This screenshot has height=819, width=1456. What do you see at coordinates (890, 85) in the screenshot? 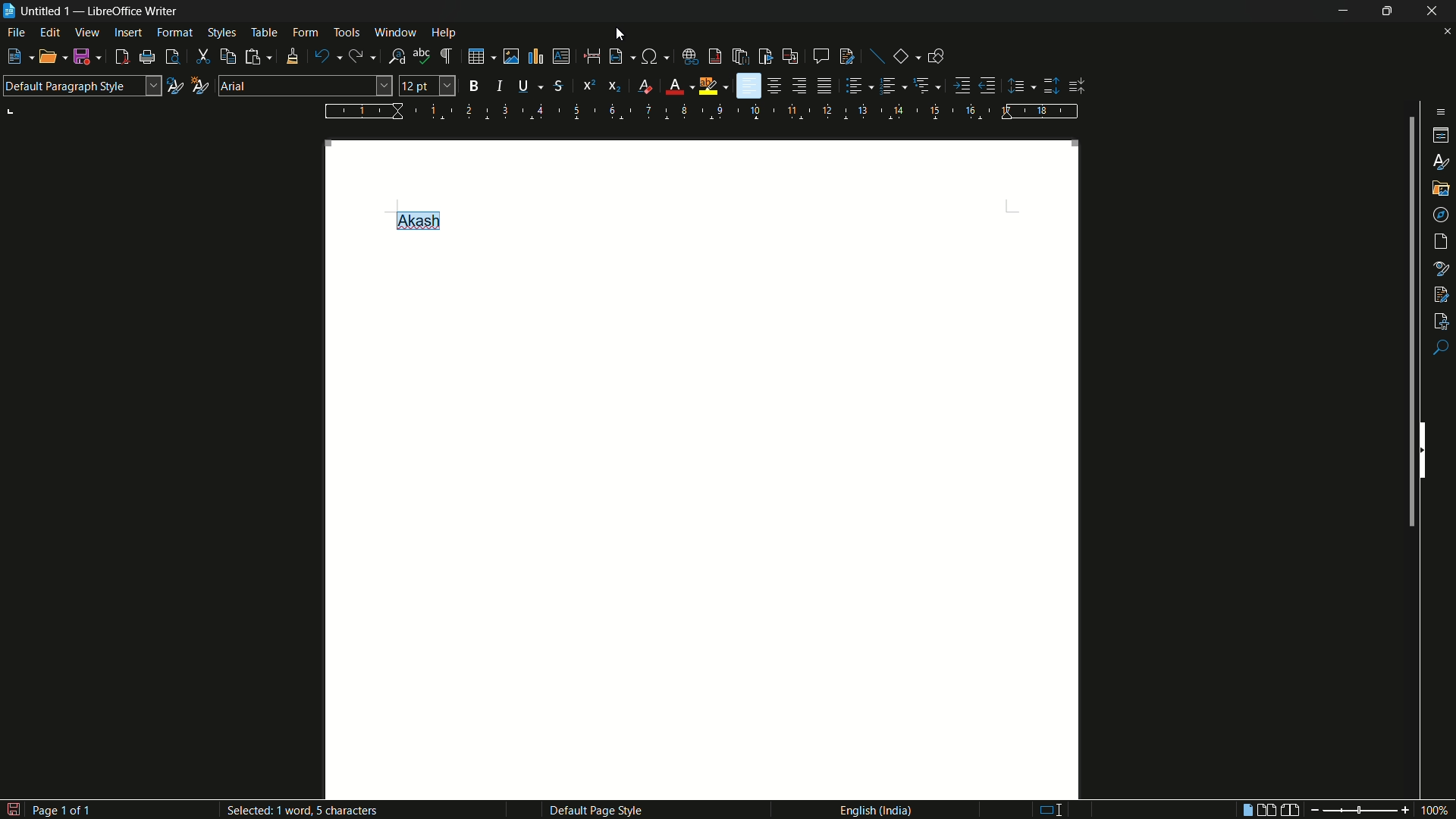
I see `toggle ordered list` at bounding box center [890, 85].